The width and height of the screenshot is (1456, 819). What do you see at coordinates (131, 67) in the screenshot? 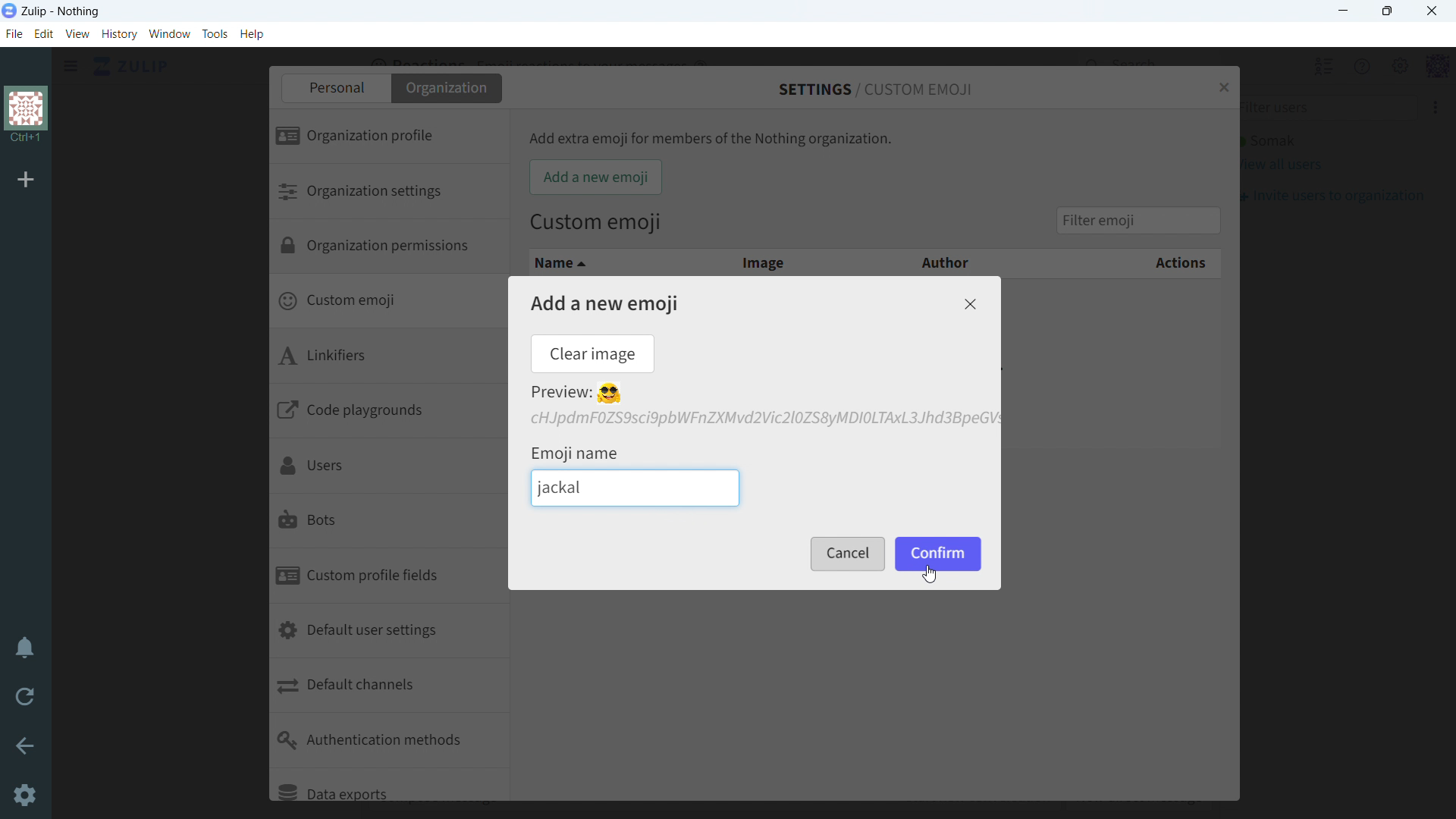
I see `go to home view` at bounding box center [131, 67].